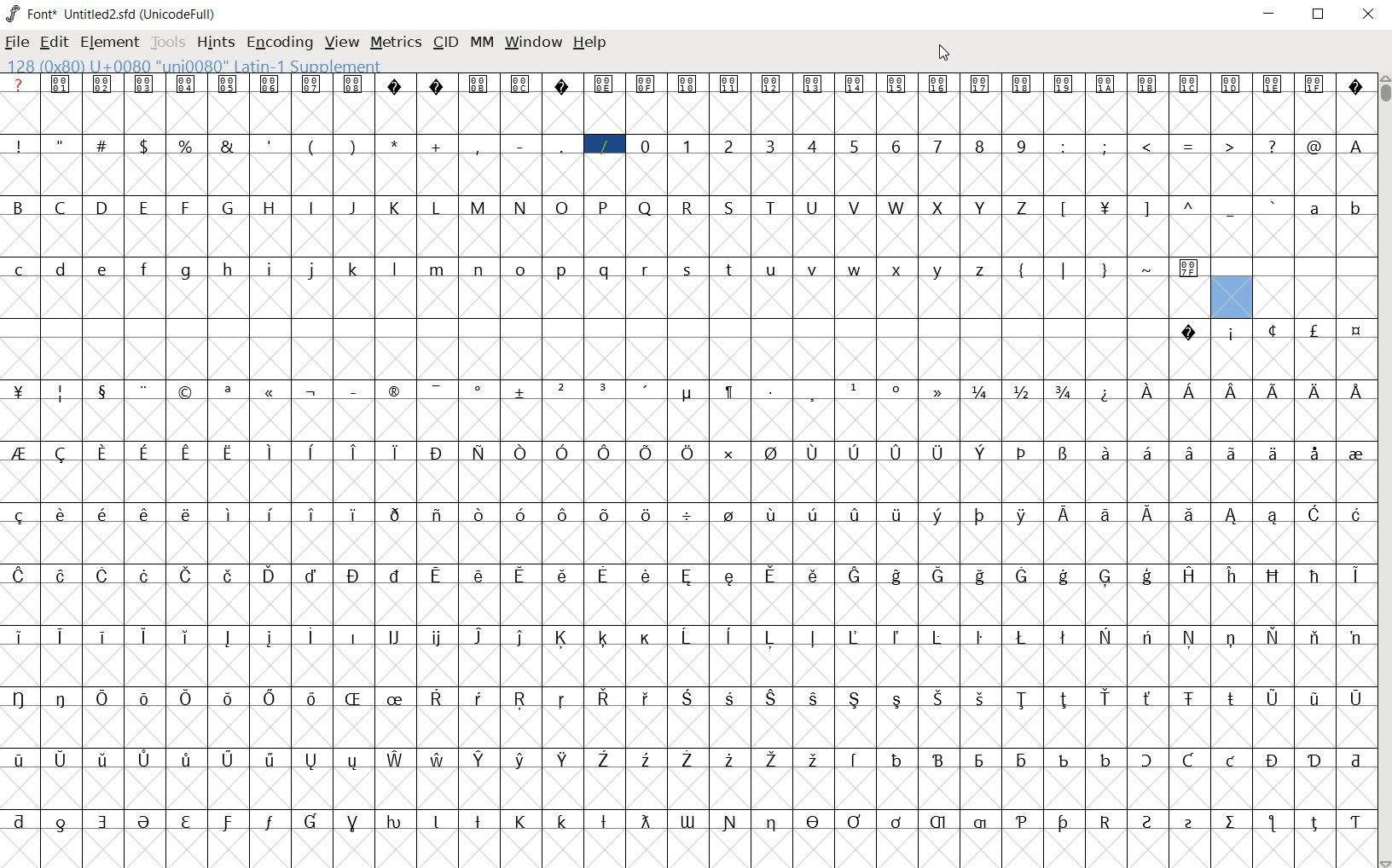  Describe the element at coordinates (1189, 269) in the screenshot. I see `glyph` at that location.